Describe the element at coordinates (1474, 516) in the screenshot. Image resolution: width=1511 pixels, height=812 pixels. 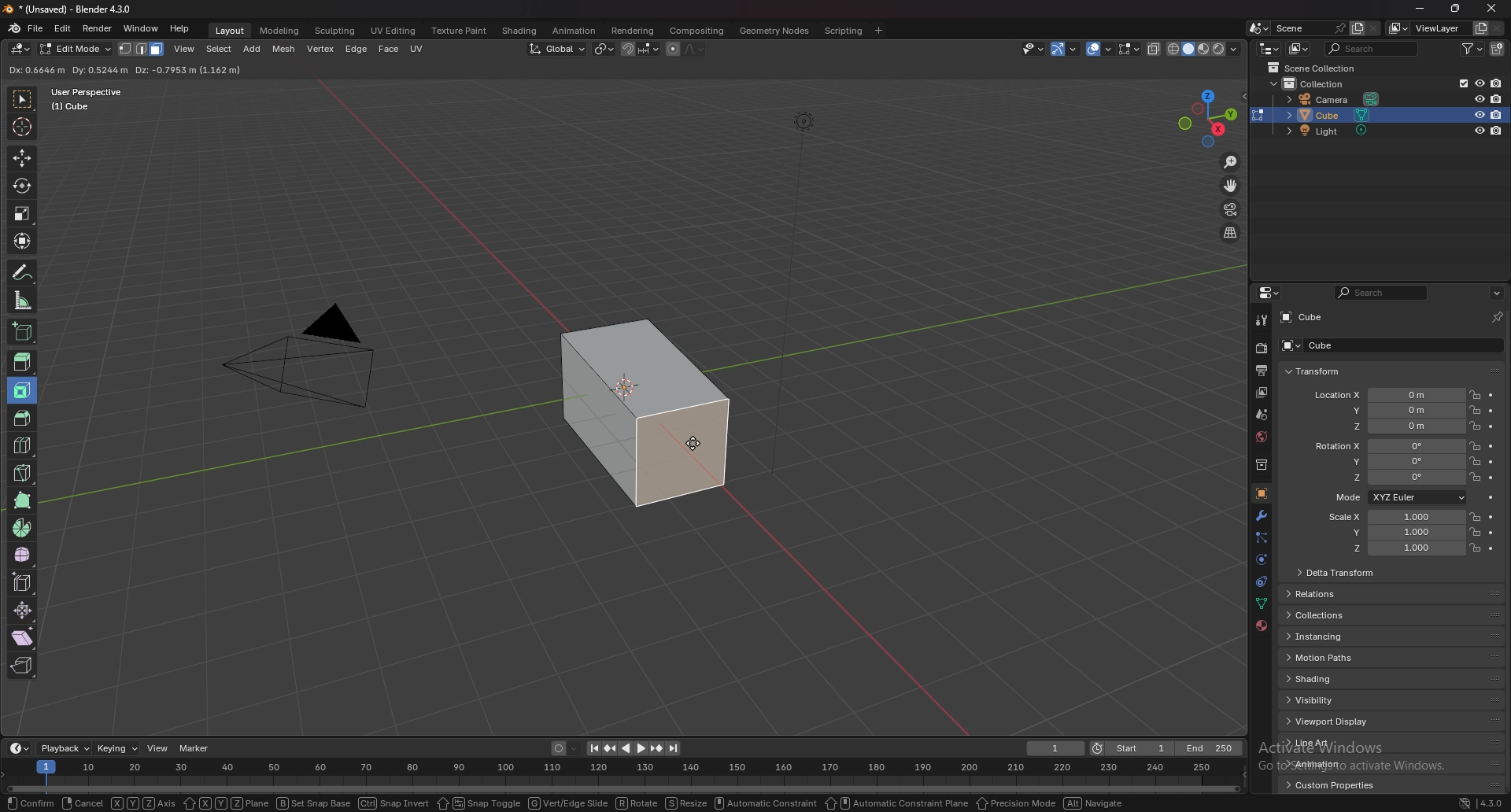
I see `lock` at that location.